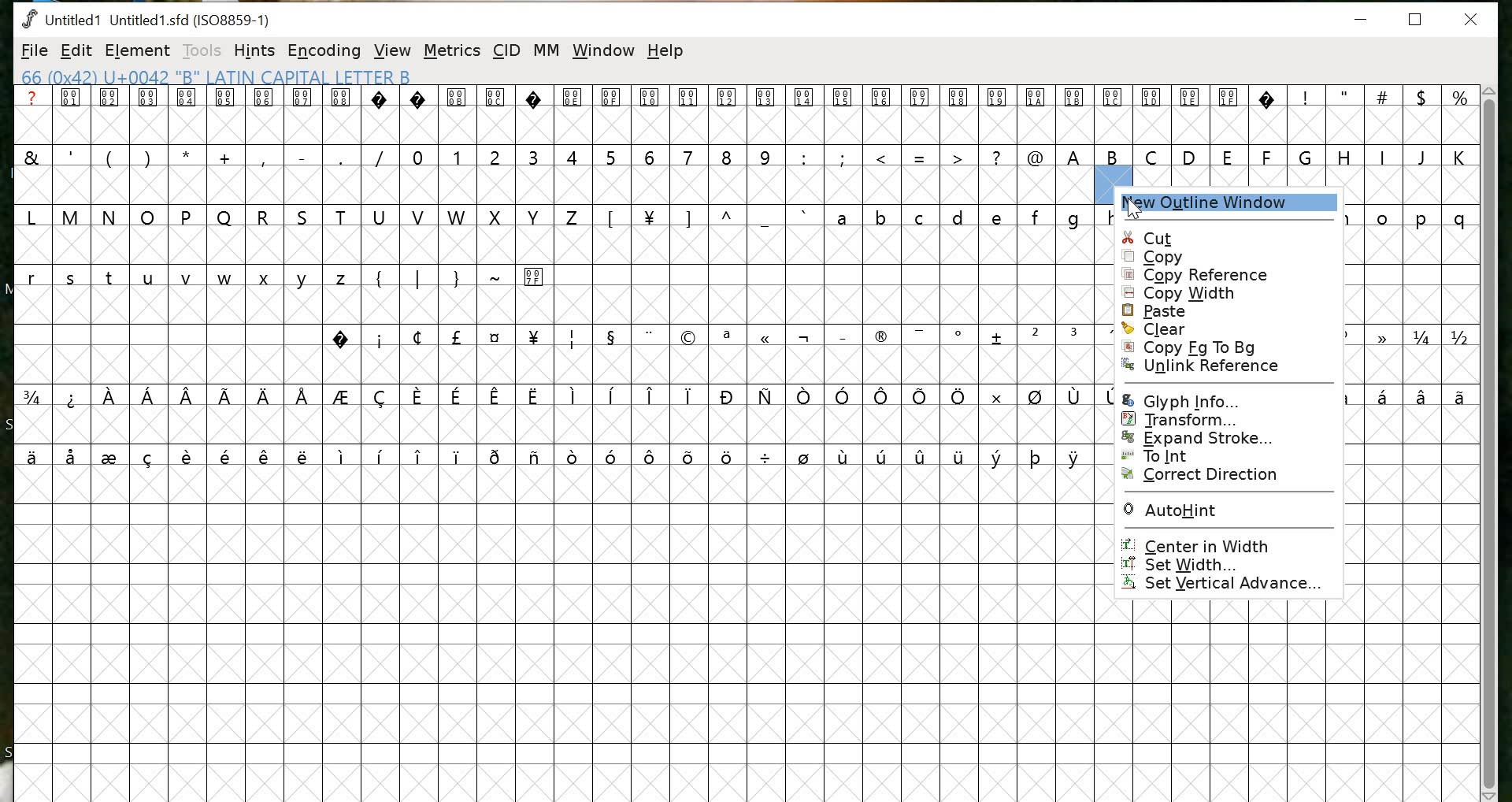 The width and height of the screenshot is (1512, 802). Describe the element at coordinates (1228, 544) in the screenshot. I see `center in width` at that location.